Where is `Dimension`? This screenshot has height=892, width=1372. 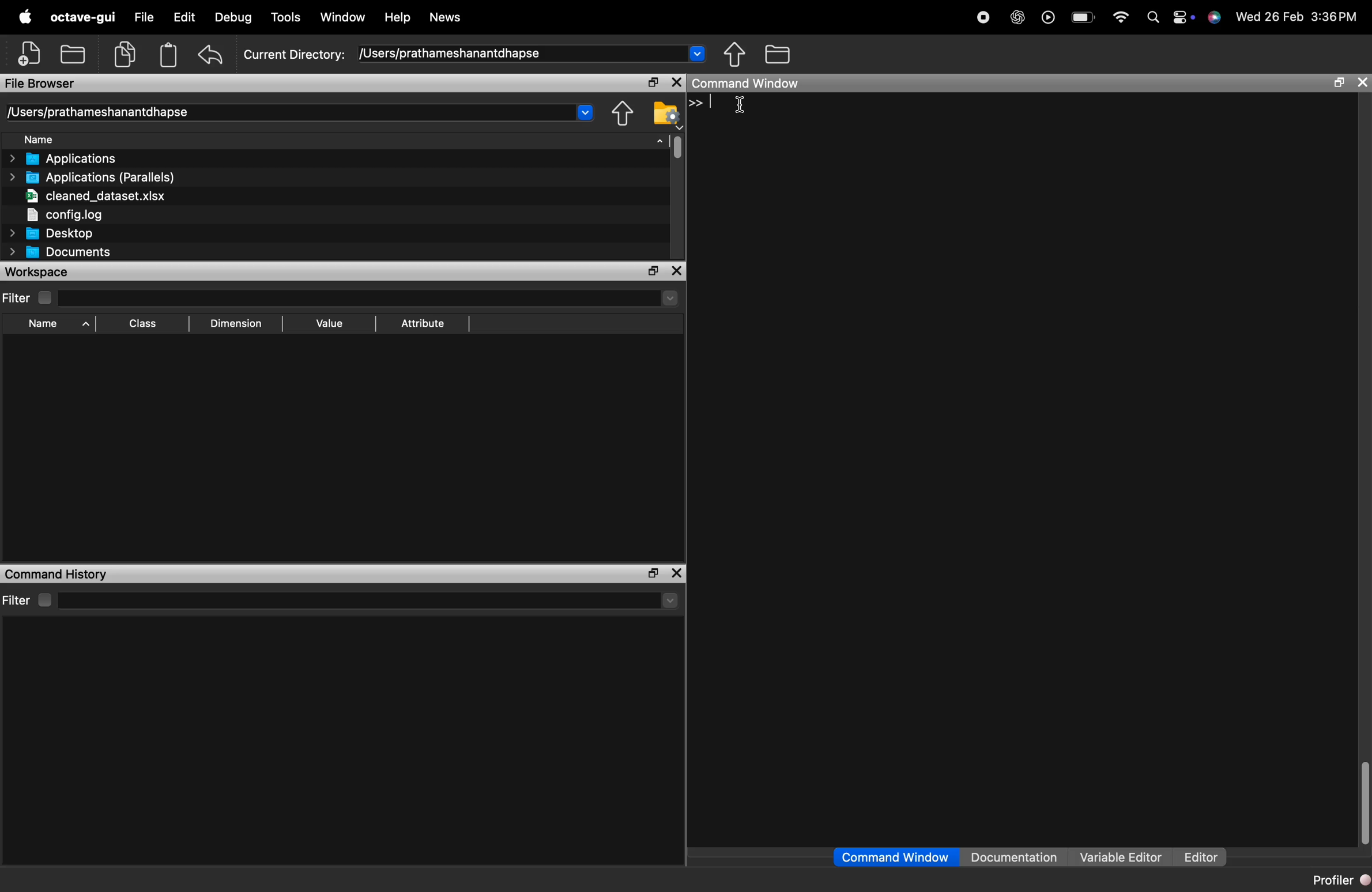 Dimension is located at coordinates (233, 324).